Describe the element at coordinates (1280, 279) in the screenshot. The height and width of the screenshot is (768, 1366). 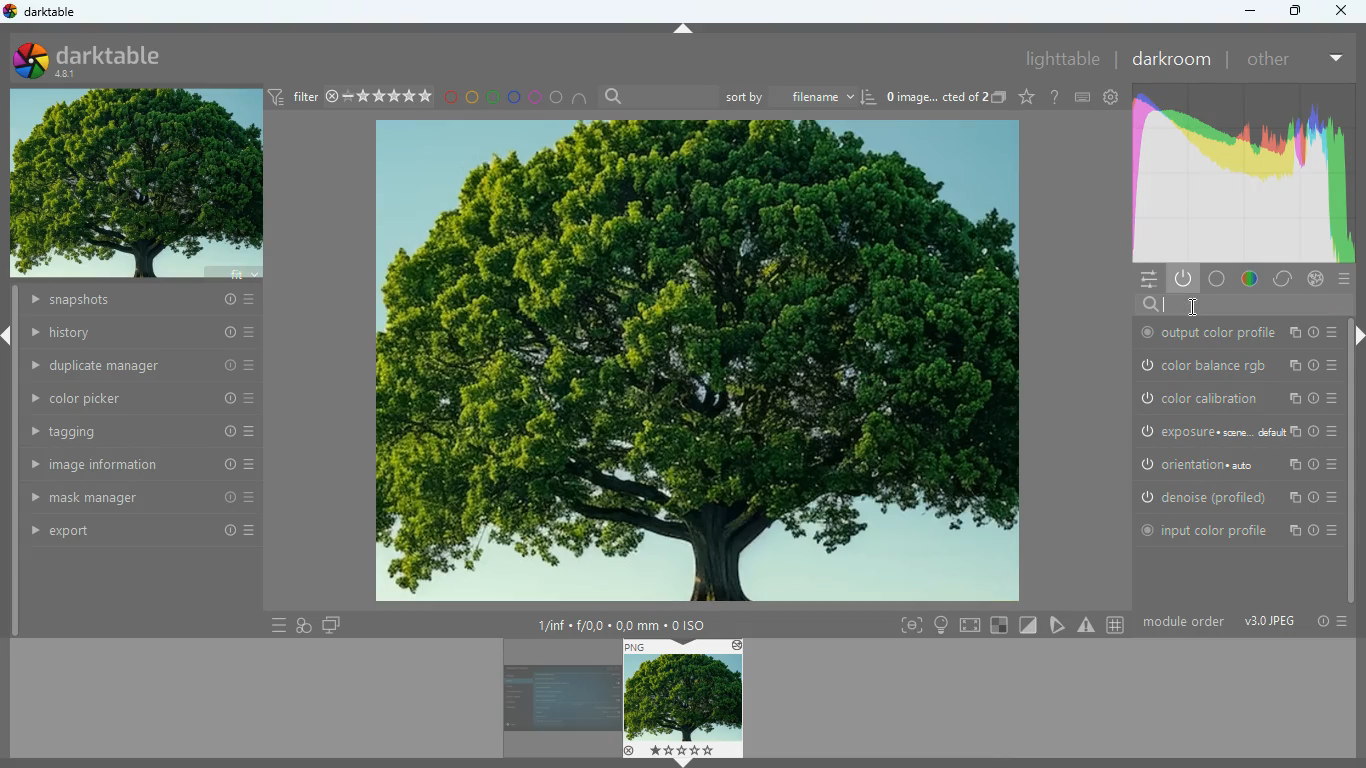
I see `correct` at that location.